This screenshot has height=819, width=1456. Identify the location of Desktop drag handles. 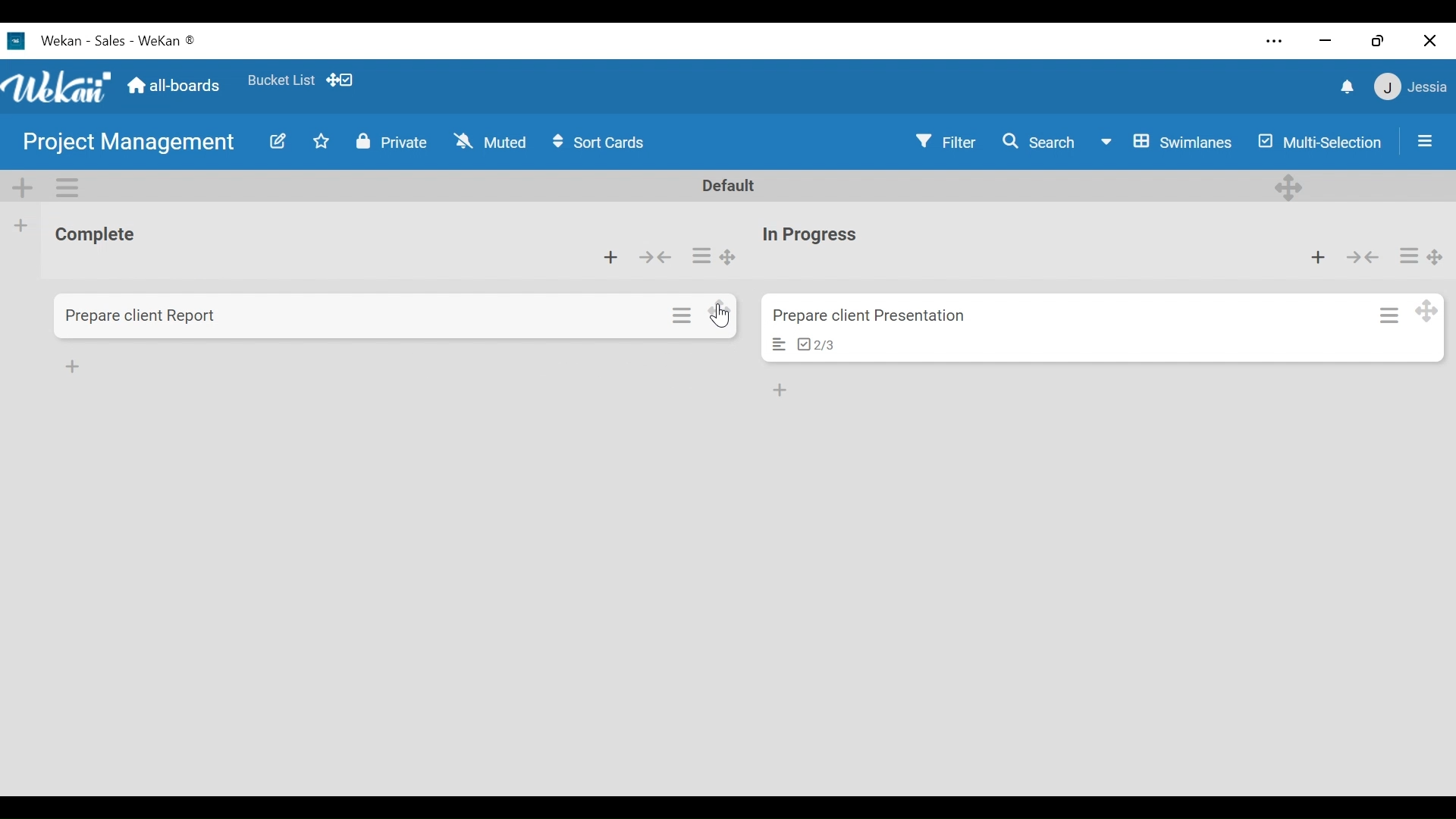
(729, 258).